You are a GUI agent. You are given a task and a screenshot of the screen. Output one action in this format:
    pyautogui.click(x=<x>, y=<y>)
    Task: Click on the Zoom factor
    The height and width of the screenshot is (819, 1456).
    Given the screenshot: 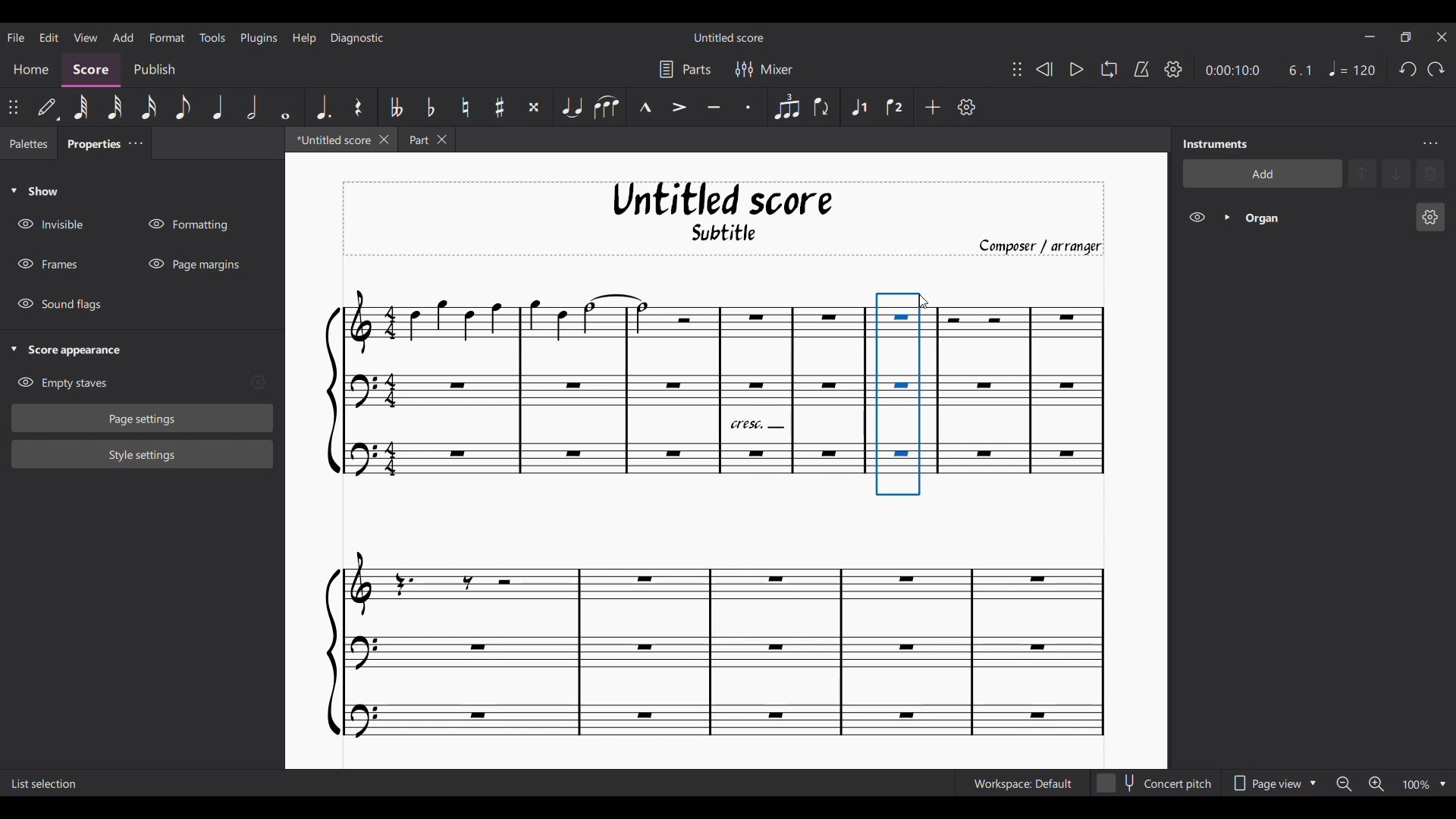 What is the action you would take?
    pyautogui.click(x=1416, y=785)
    